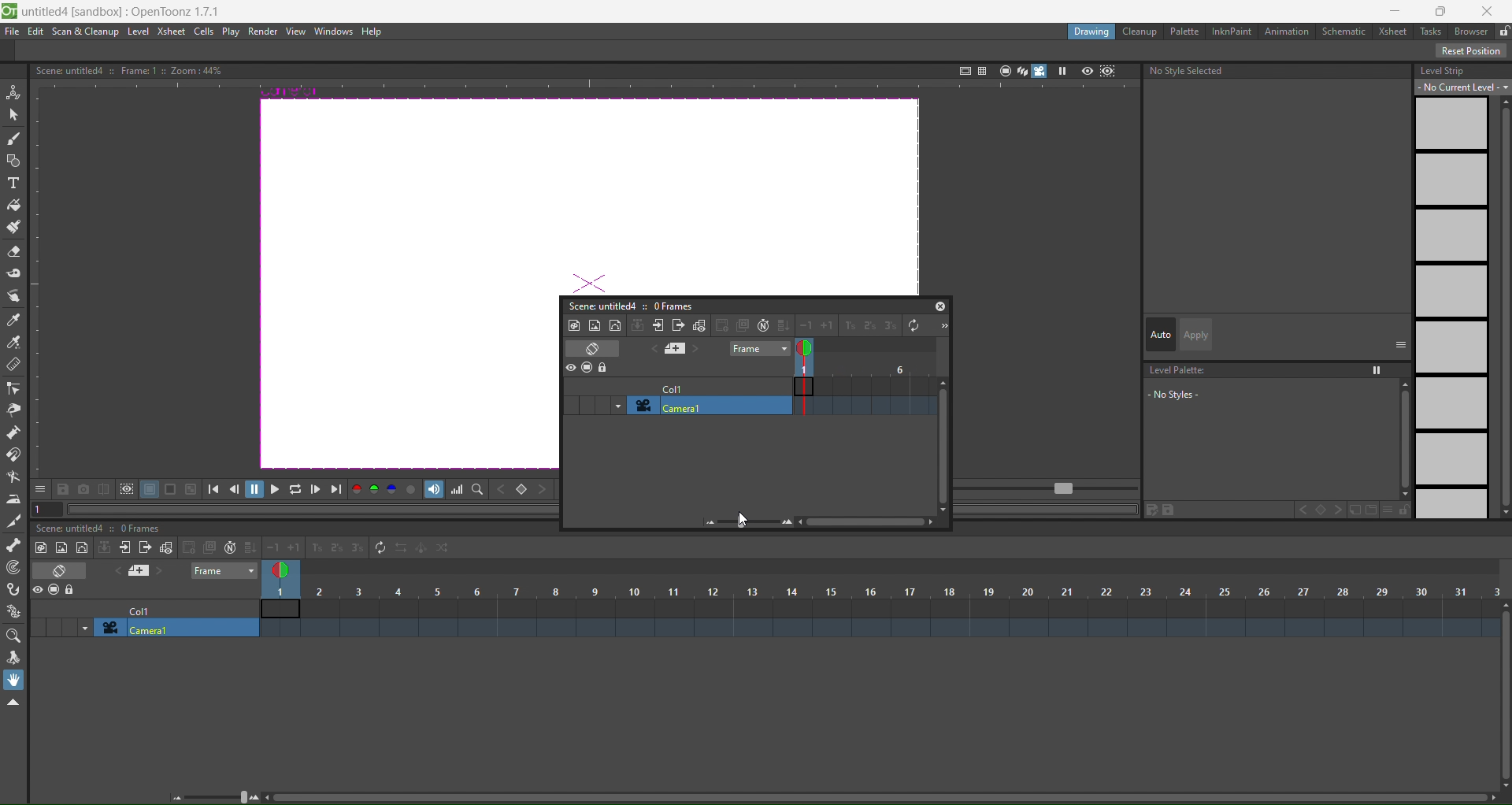  I want to click on magnifier tool, so click(17, 636).